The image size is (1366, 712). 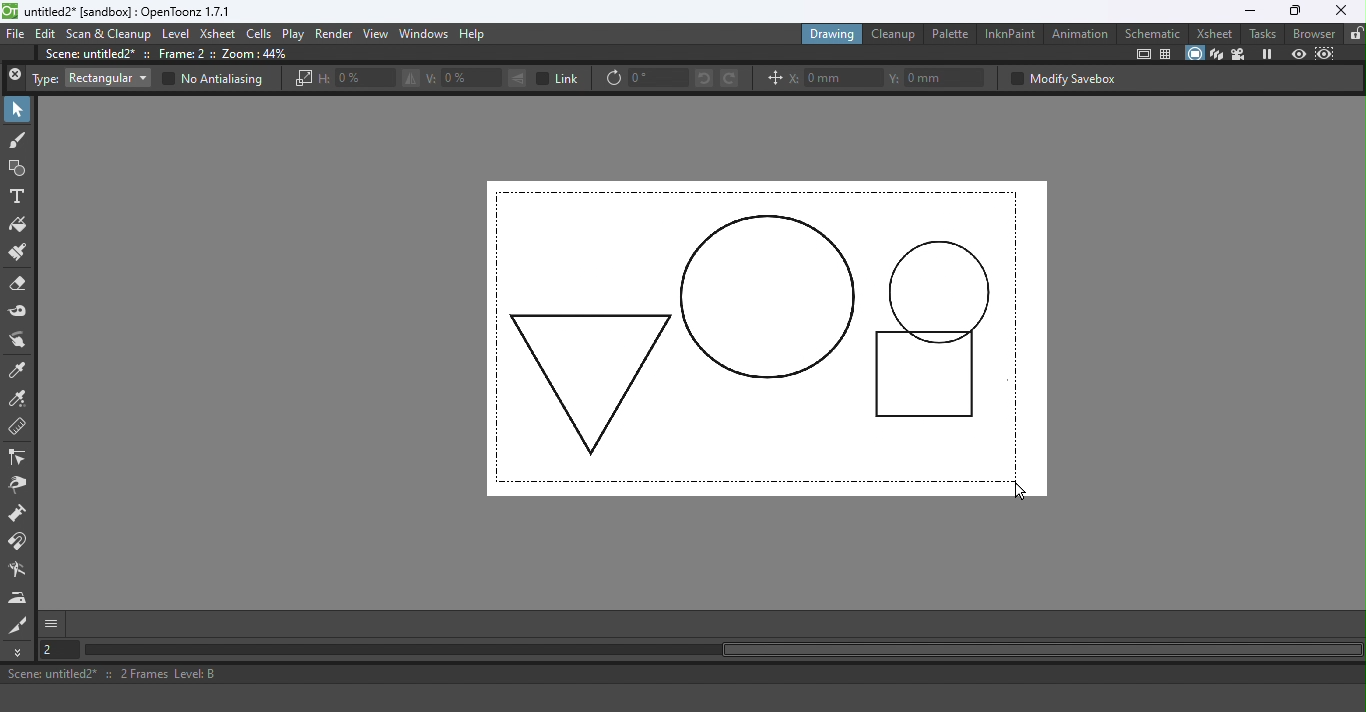 I want to click on Paintbrush tool, so click(x=20, y=253).